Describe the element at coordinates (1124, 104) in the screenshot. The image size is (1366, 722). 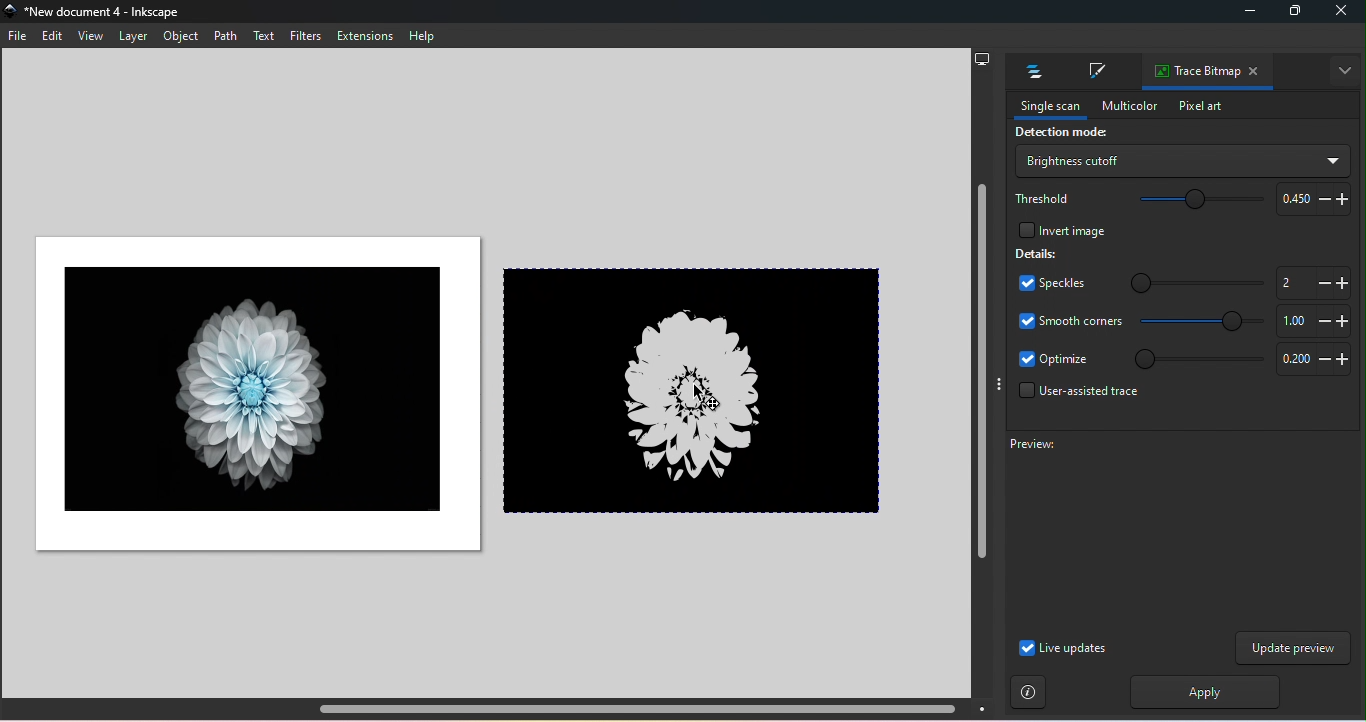
I see `Multicolor` at that location.